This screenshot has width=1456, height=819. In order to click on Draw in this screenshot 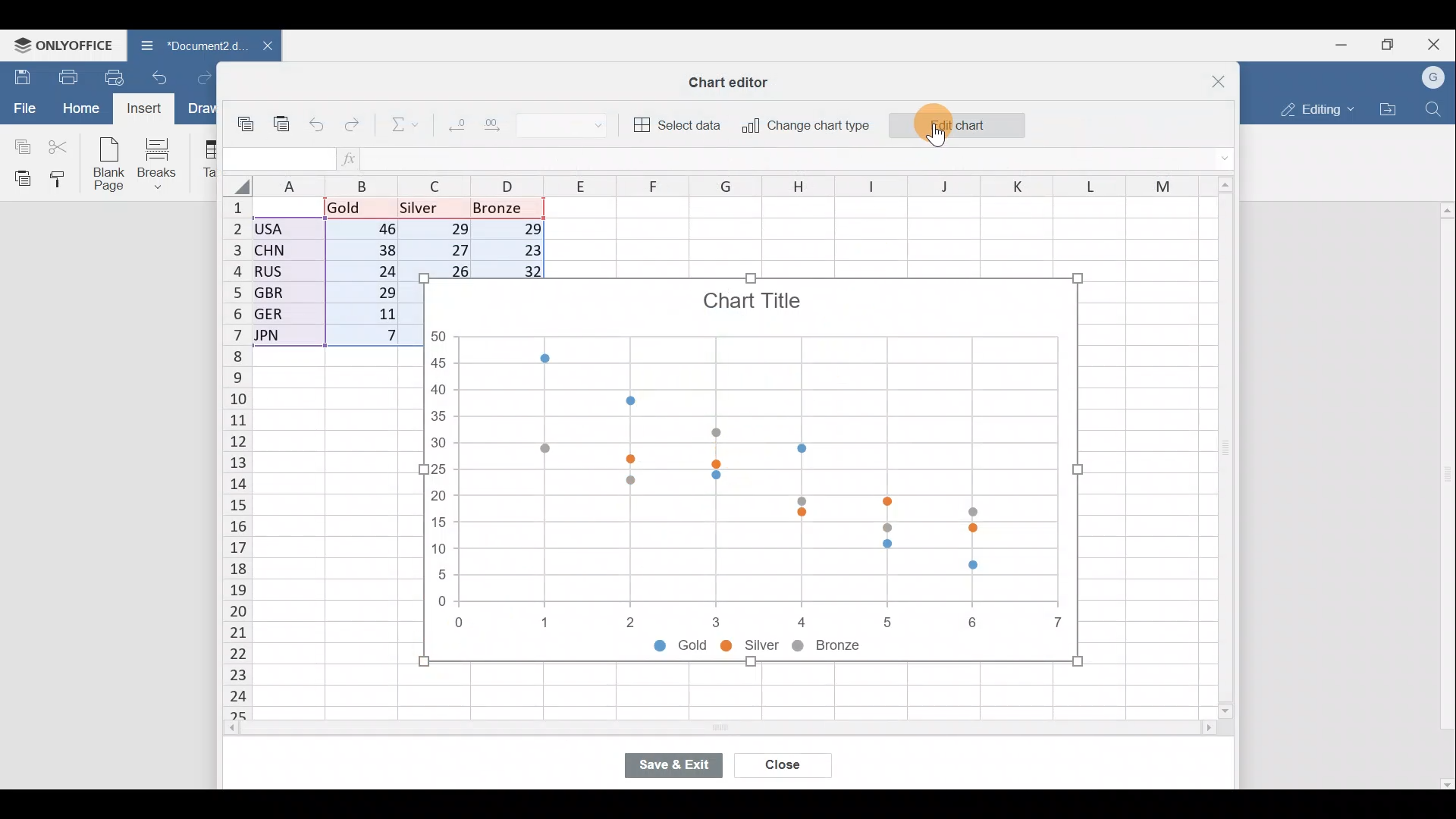, I will do `click(199, 108)`.